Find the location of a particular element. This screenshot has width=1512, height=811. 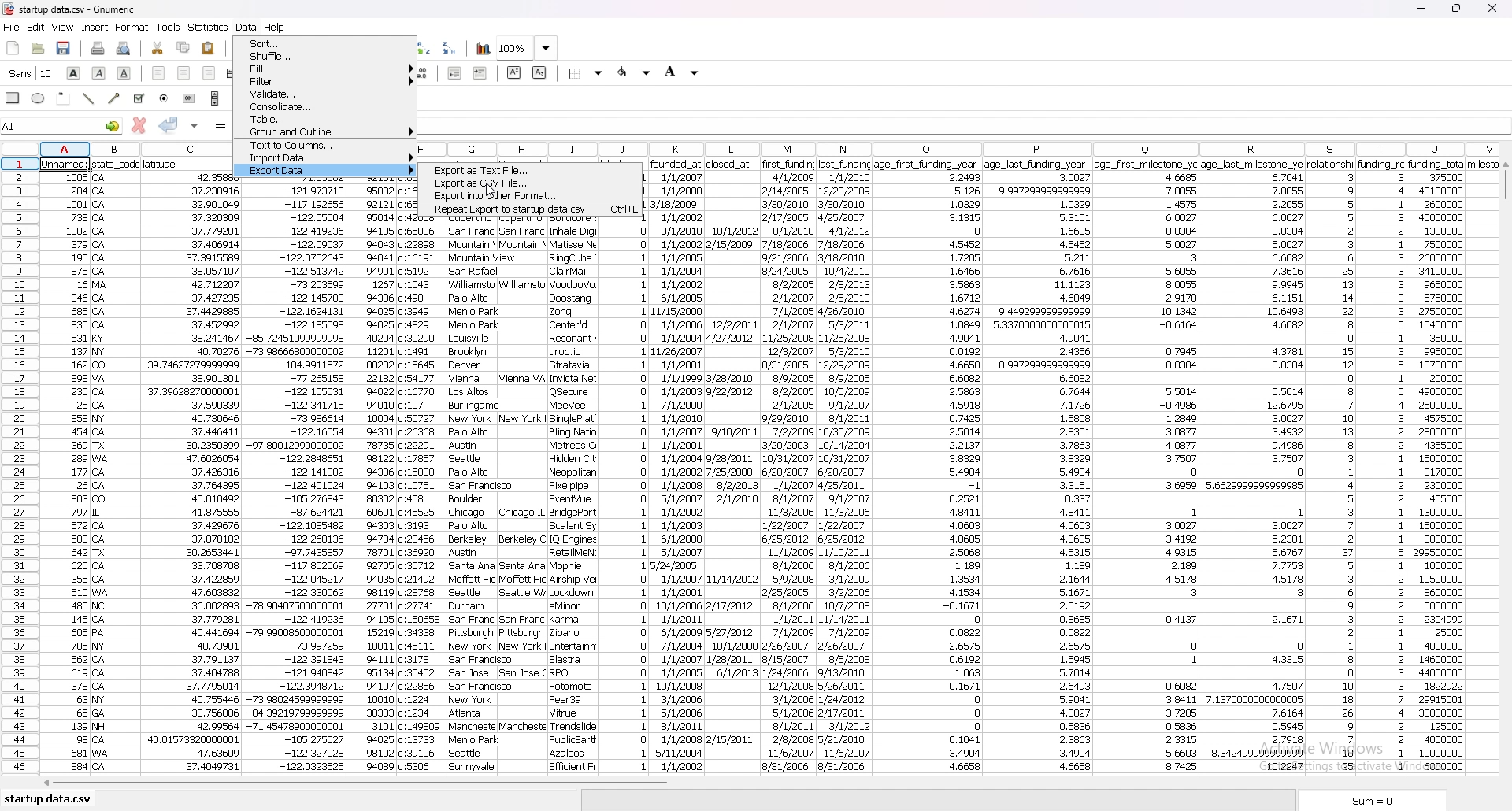

repeat export to file.csv is located at coordinates (529, 209).